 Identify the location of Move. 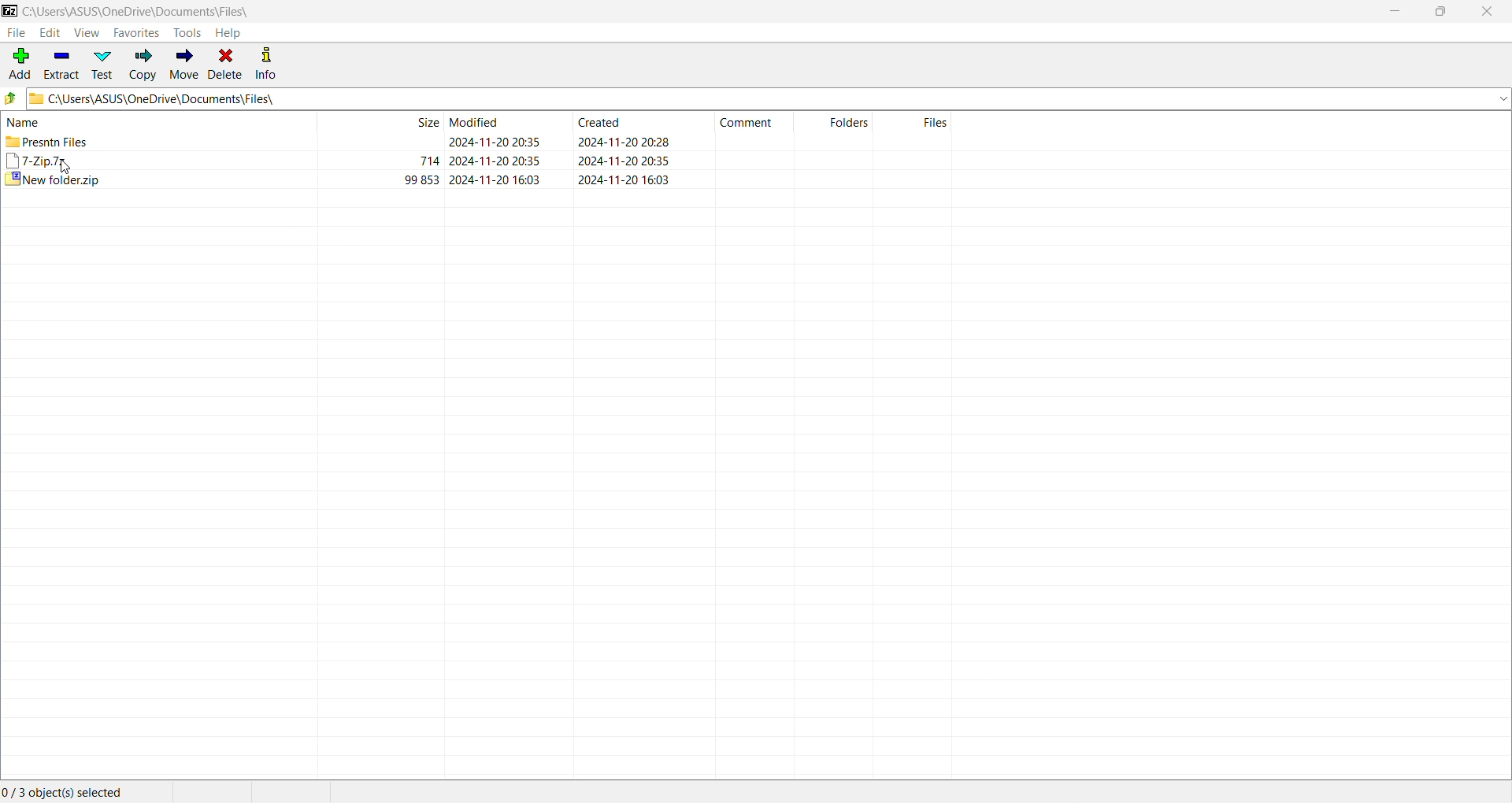
(184, 62).